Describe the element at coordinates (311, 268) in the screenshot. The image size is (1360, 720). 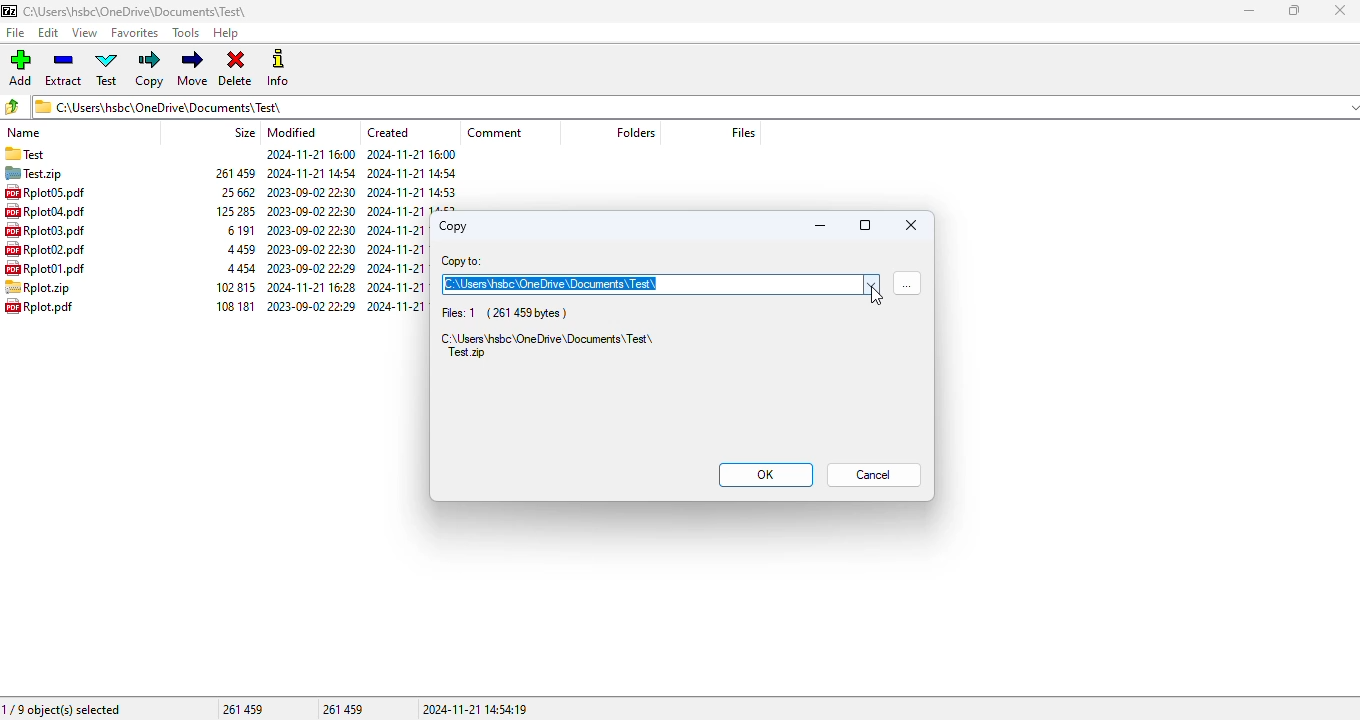
I see `modified date & time` at that location.